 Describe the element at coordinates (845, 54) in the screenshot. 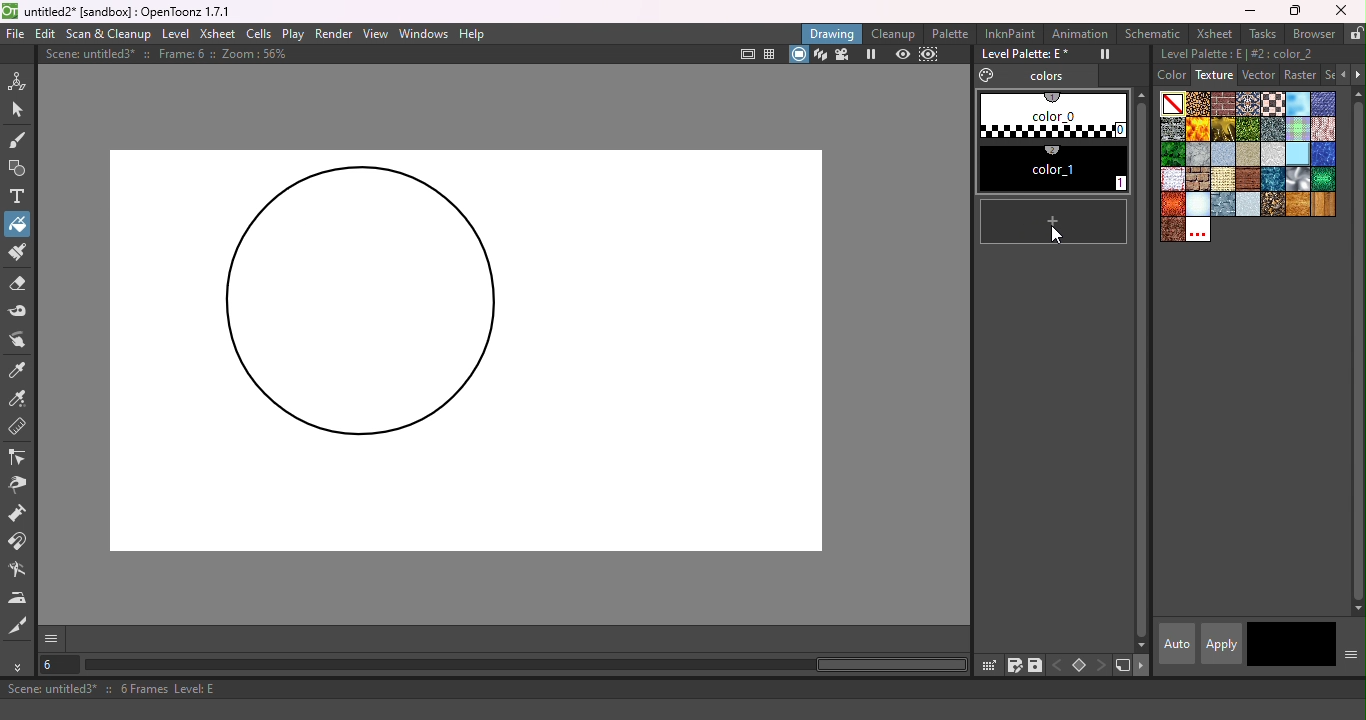

I see `Camera view` at that location.